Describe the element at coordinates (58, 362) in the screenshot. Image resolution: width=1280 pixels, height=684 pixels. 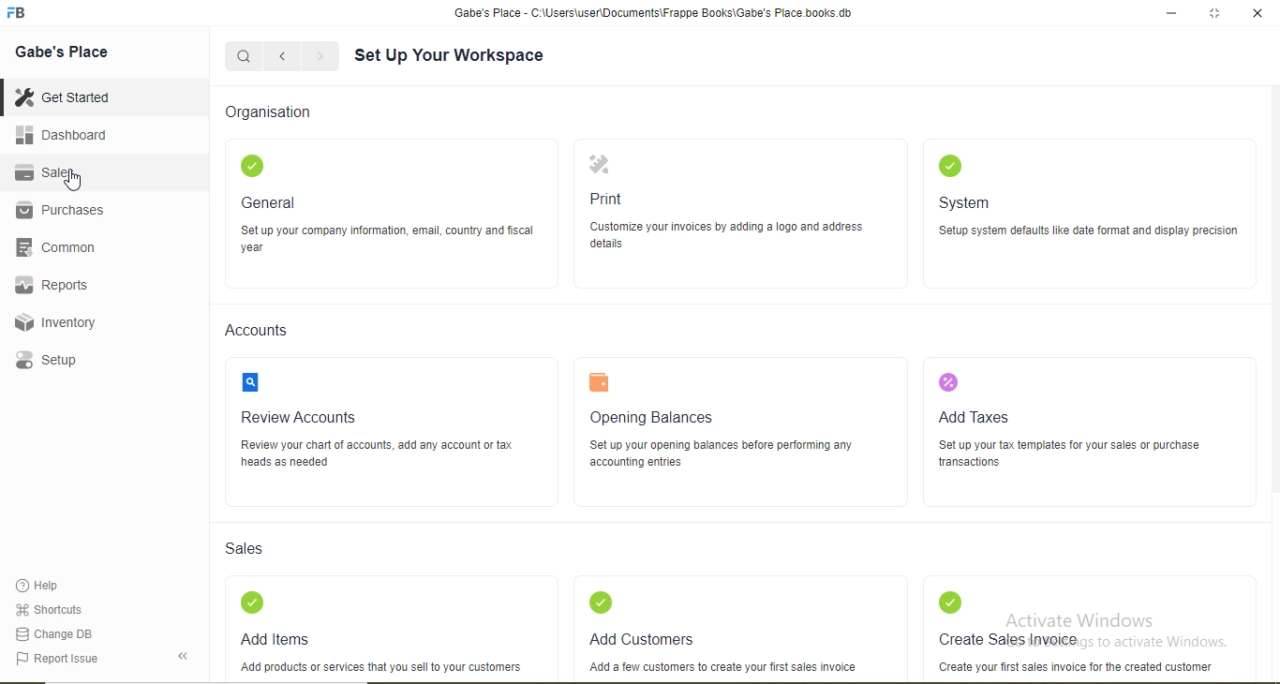
I see `Setup` at that location.